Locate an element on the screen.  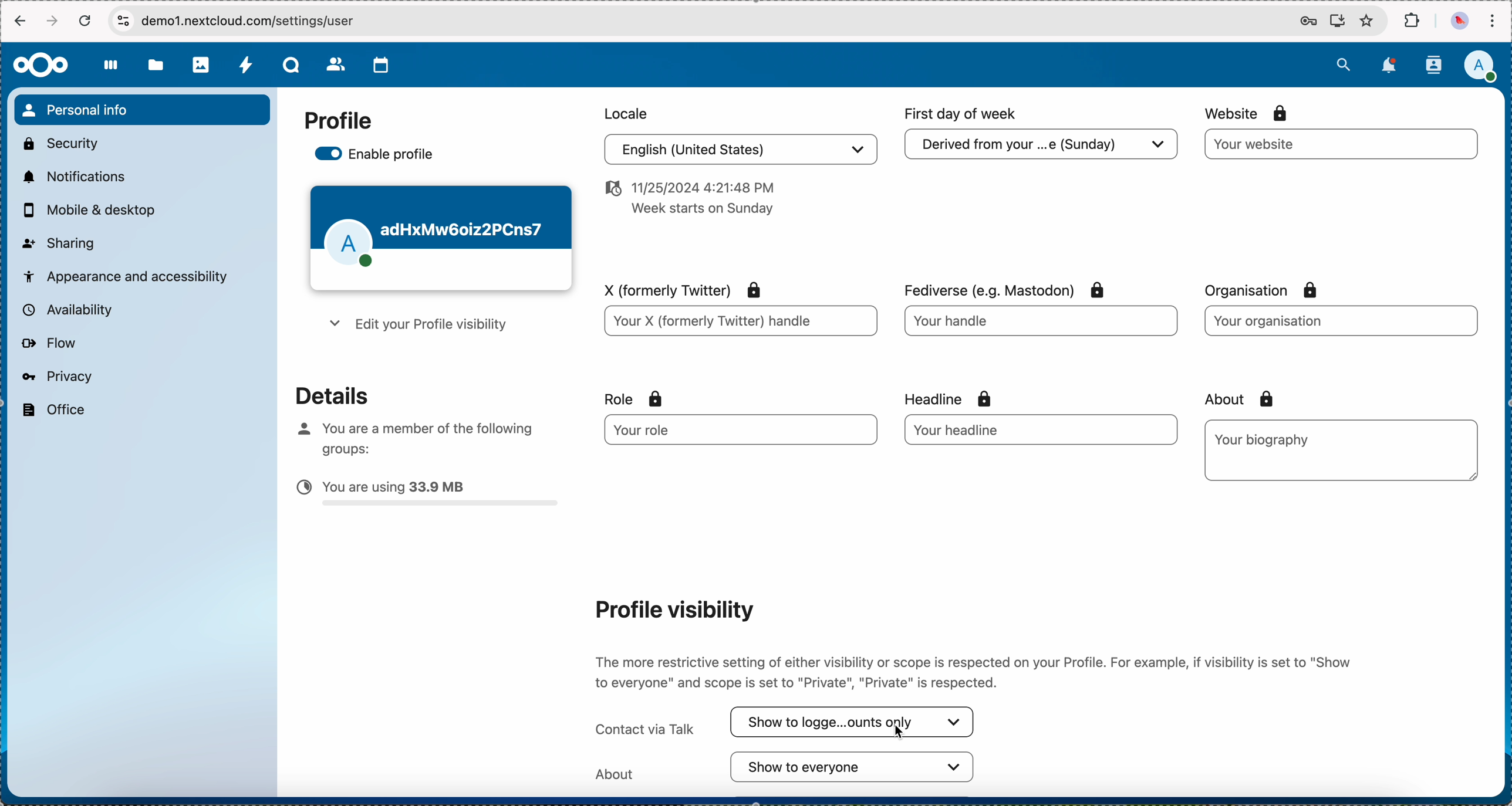
notifications is located at coordinates (1391, 65).